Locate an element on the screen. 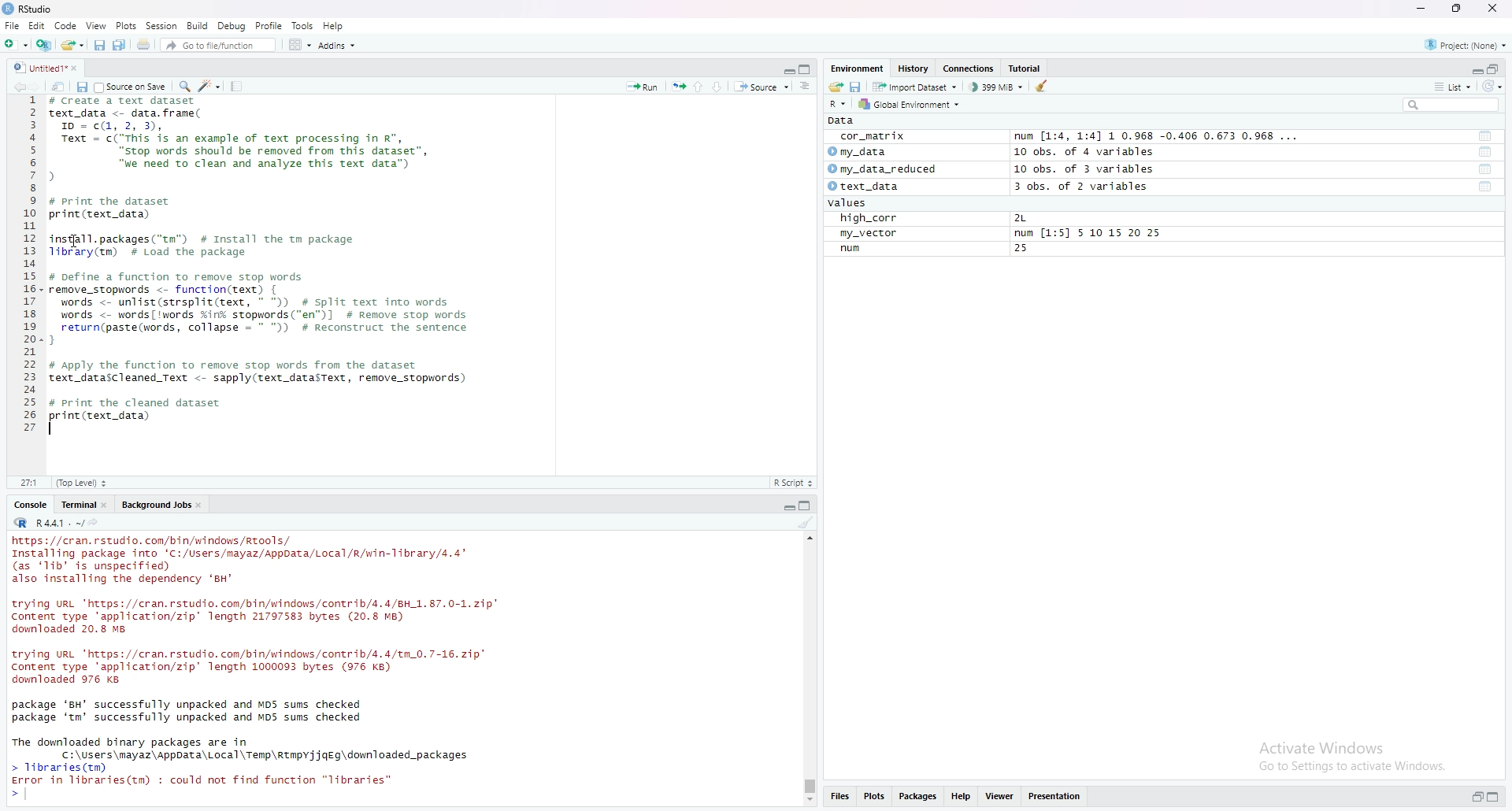 This screenshot has width=1512, height=811. print the current file is located at coordinates (145, 47).